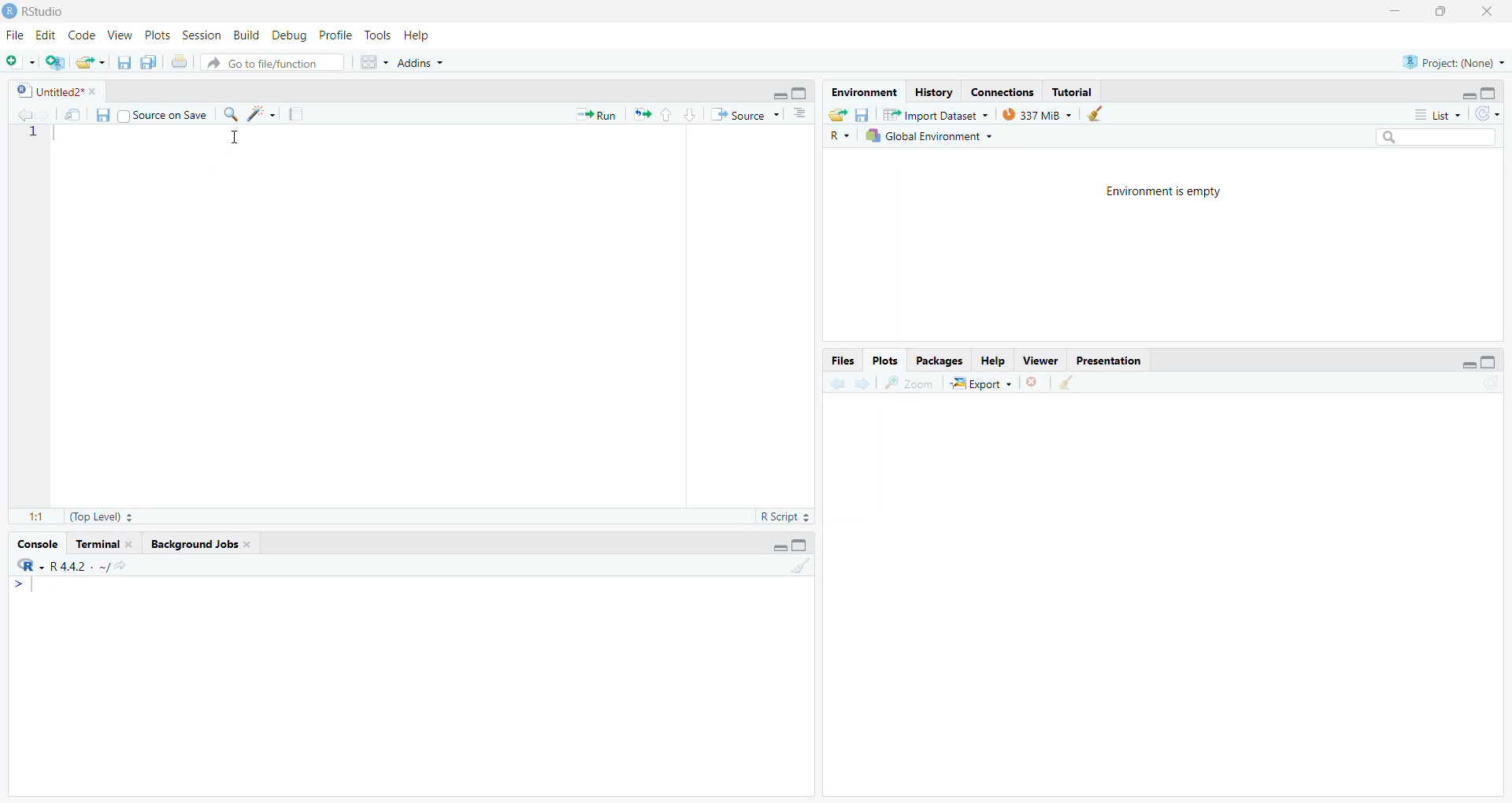  I want to click on Presentation, so click(1114, 362).